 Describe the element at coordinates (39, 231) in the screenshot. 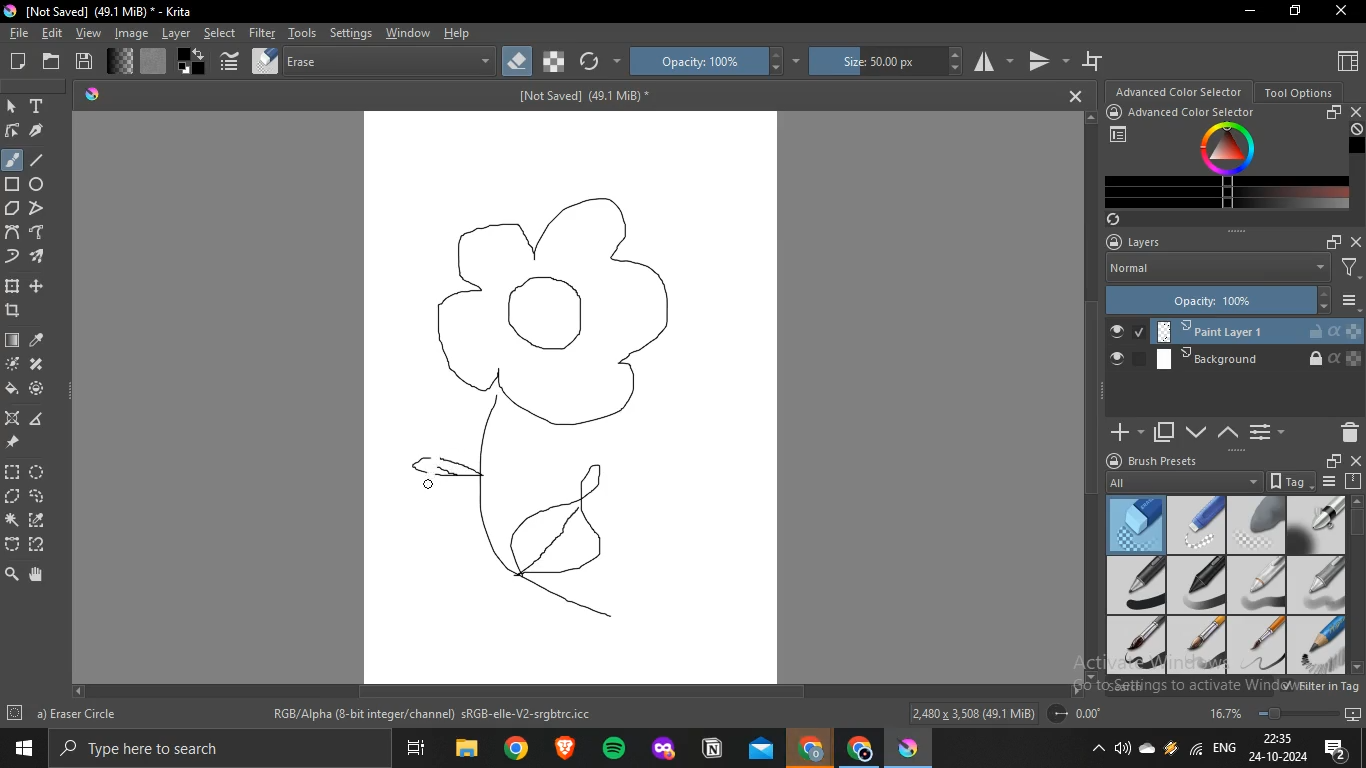

I see `freehand path tool` at that location.